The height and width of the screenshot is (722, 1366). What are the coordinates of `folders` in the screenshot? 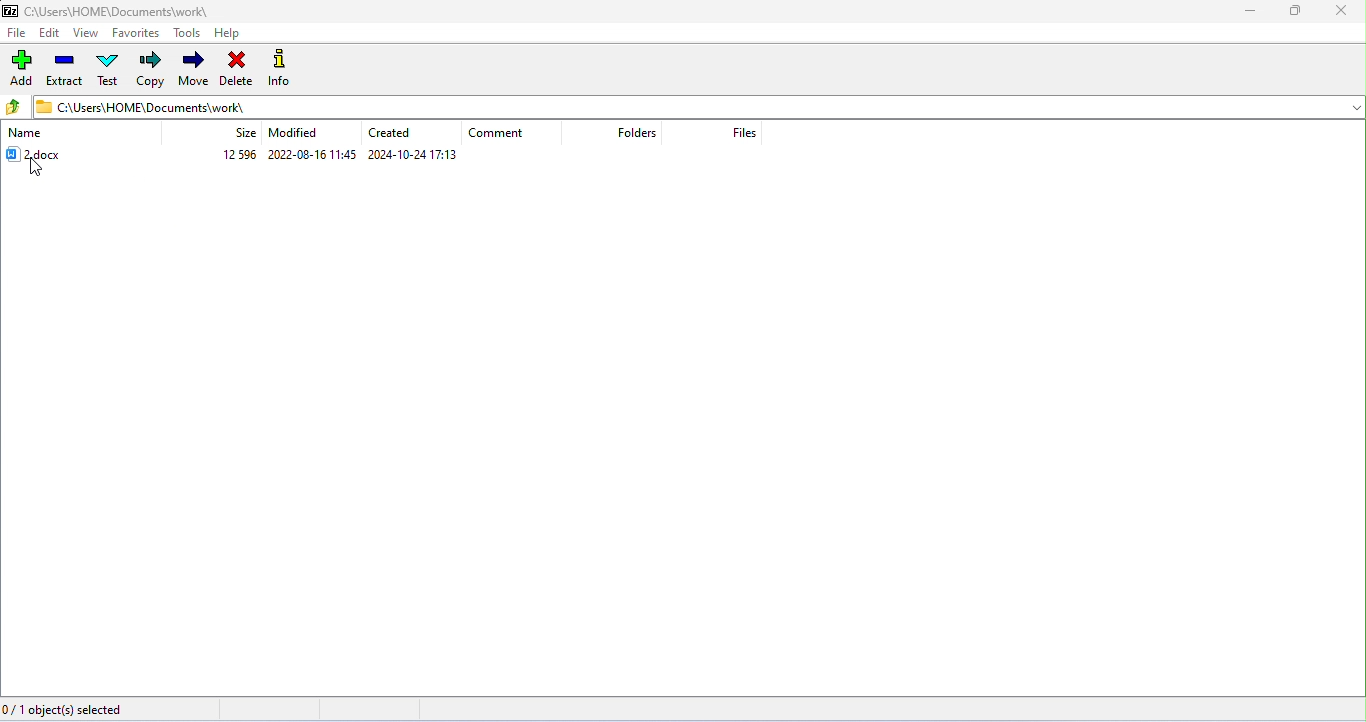 It's located at (638, 134).